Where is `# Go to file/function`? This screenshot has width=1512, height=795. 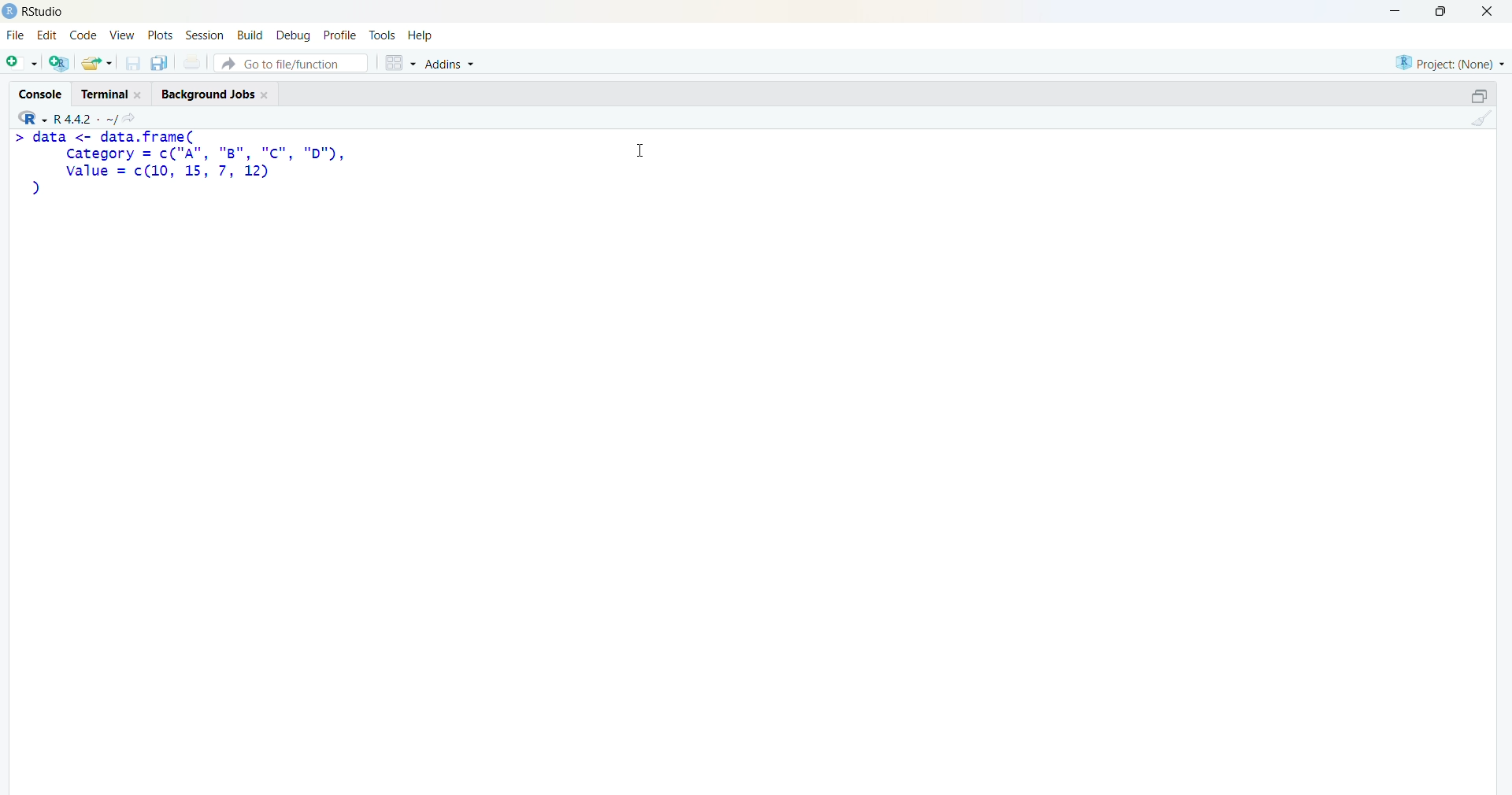
# Go to file/function is located at coordinates (291, 63).